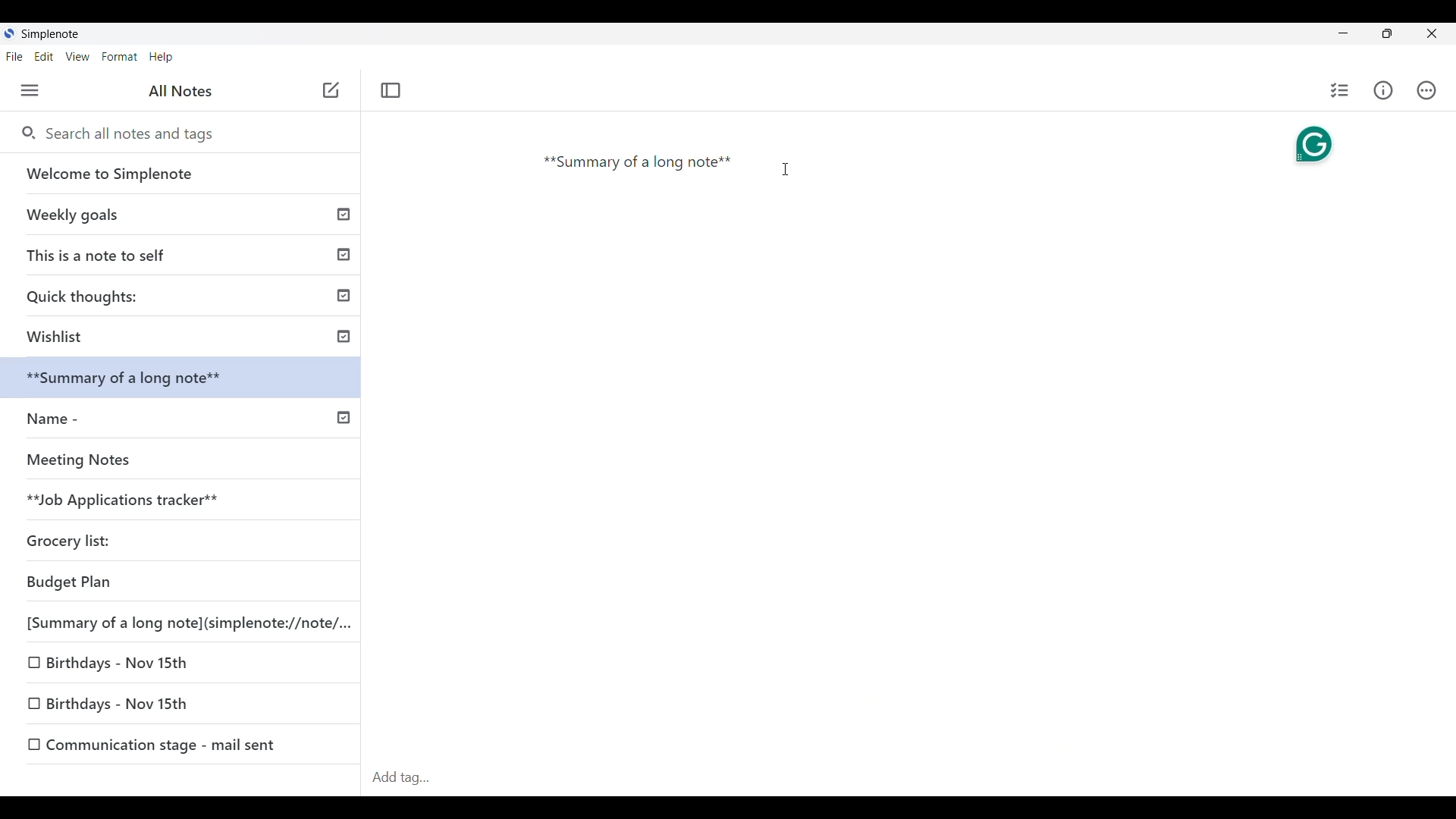  I want to click on Info, so click(1383, 90).